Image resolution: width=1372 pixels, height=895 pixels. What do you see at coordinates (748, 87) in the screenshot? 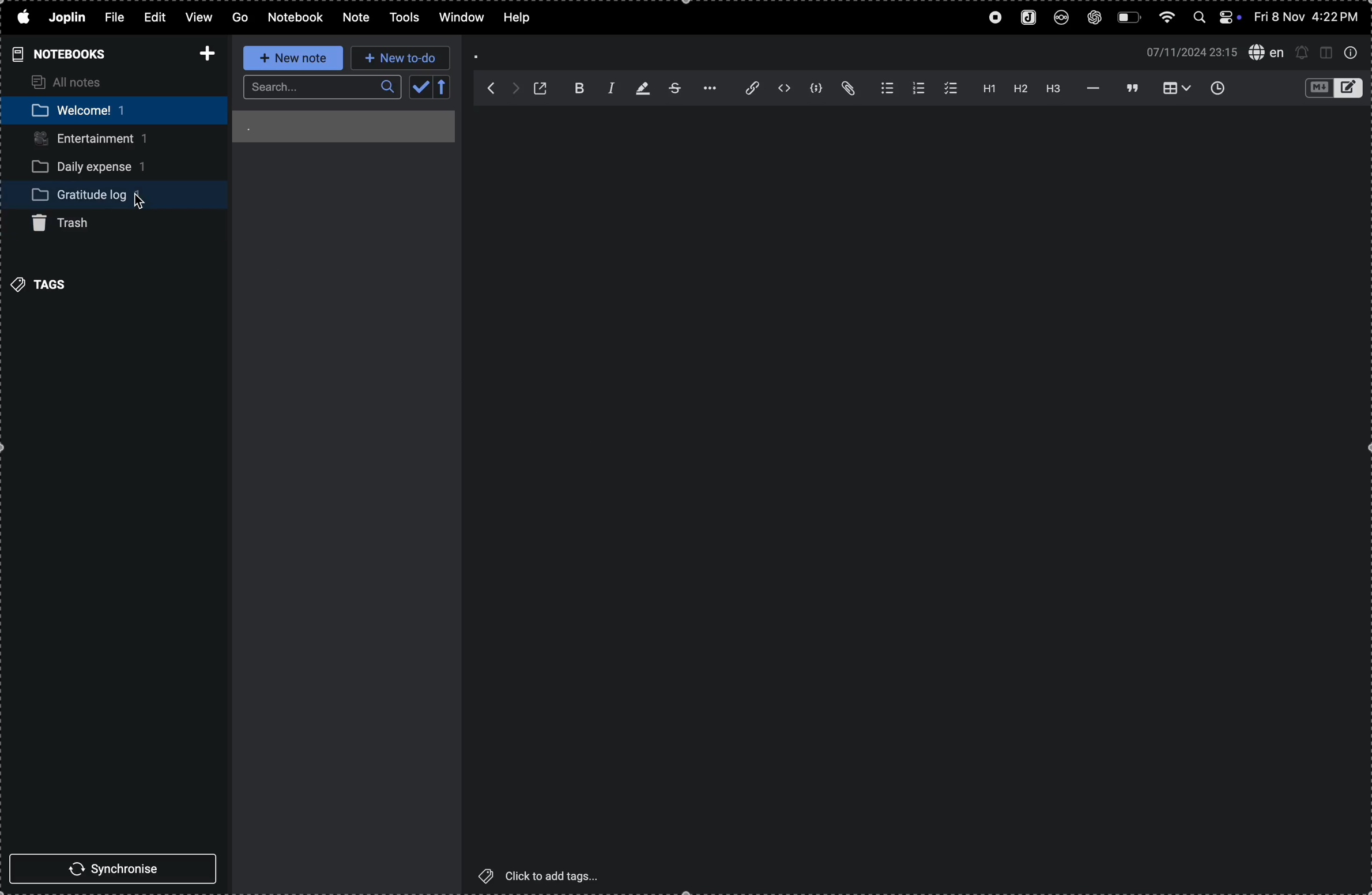
I see `insert link` at bounding box center [748, 87].